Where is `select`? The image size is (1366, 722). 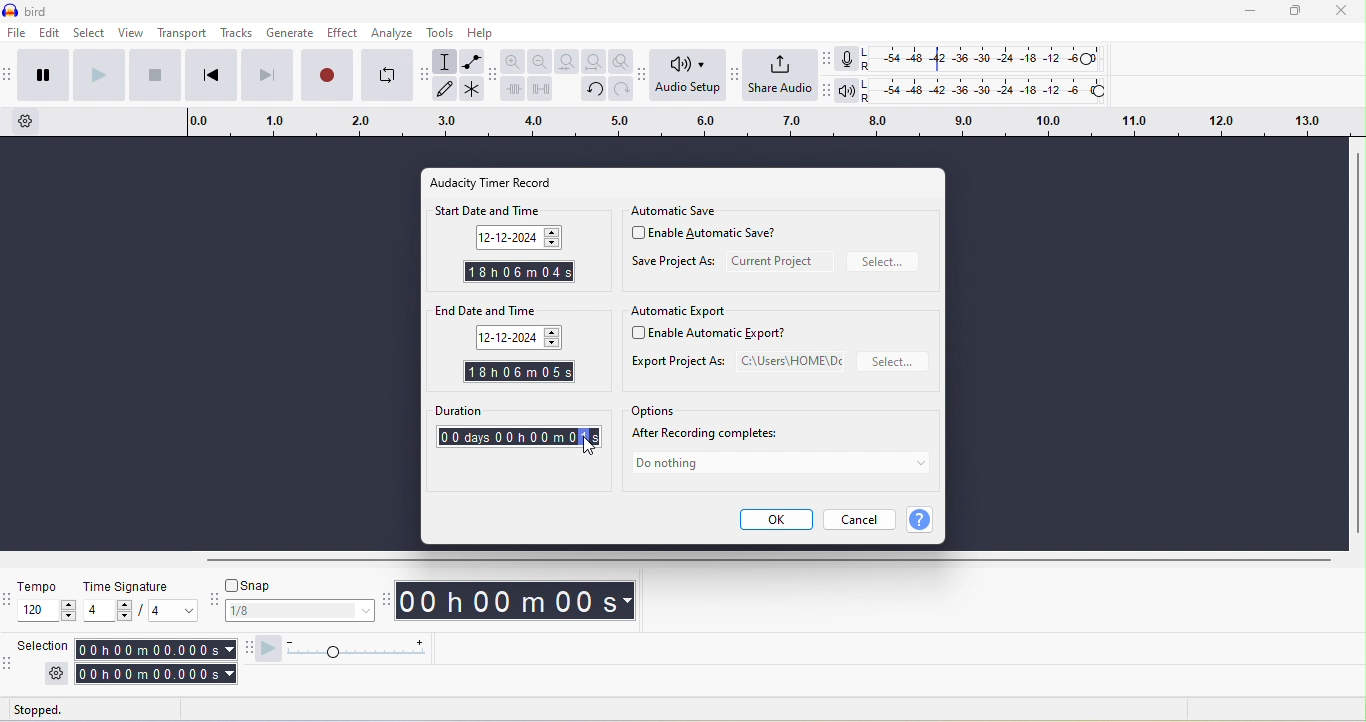
select is located at coordinates (894, 363).